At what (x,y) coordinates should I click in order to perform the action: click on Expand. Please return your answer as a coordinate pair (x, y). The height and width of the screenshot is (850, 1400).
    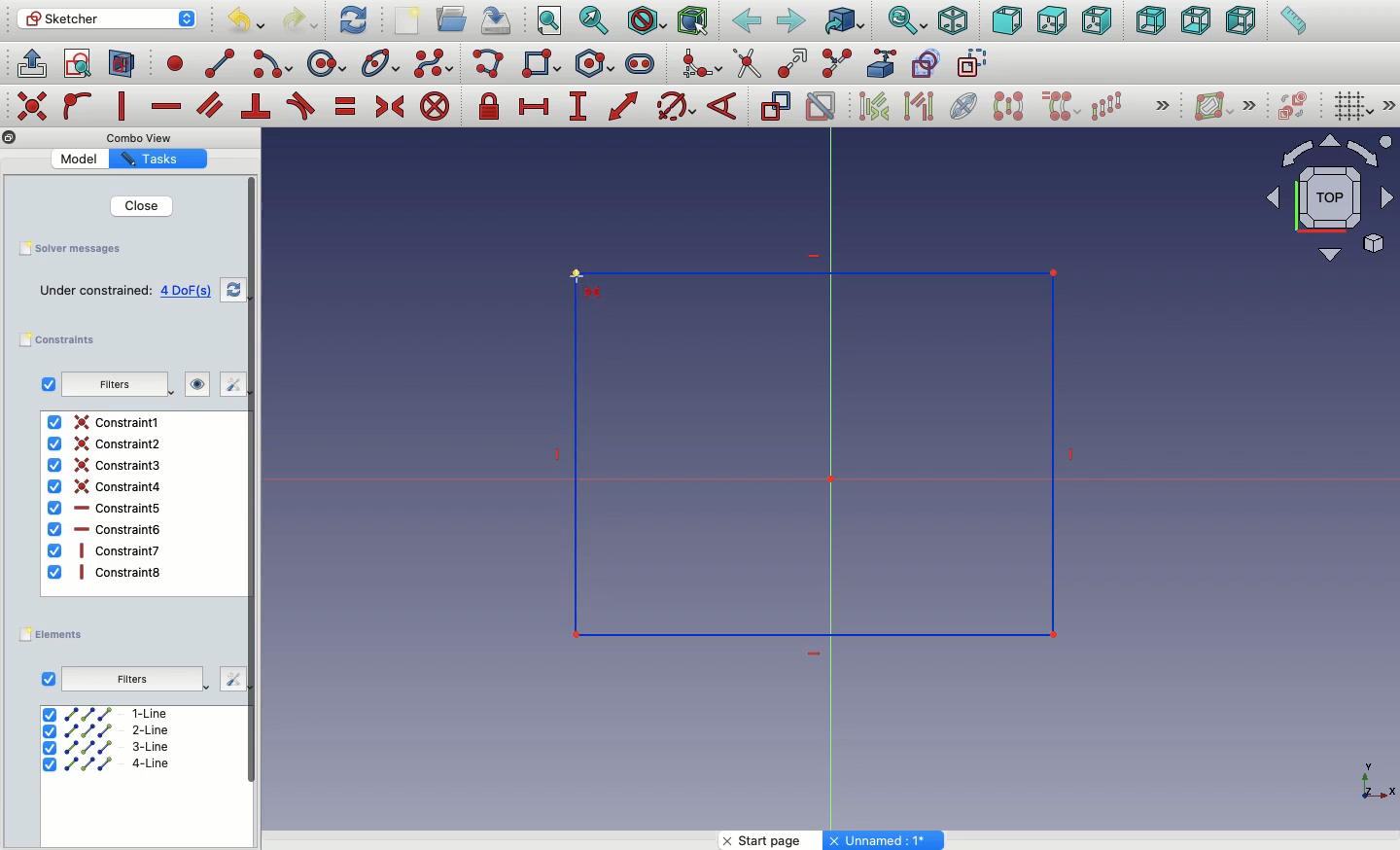
    Looking at the image, I should click on (1390, 105).